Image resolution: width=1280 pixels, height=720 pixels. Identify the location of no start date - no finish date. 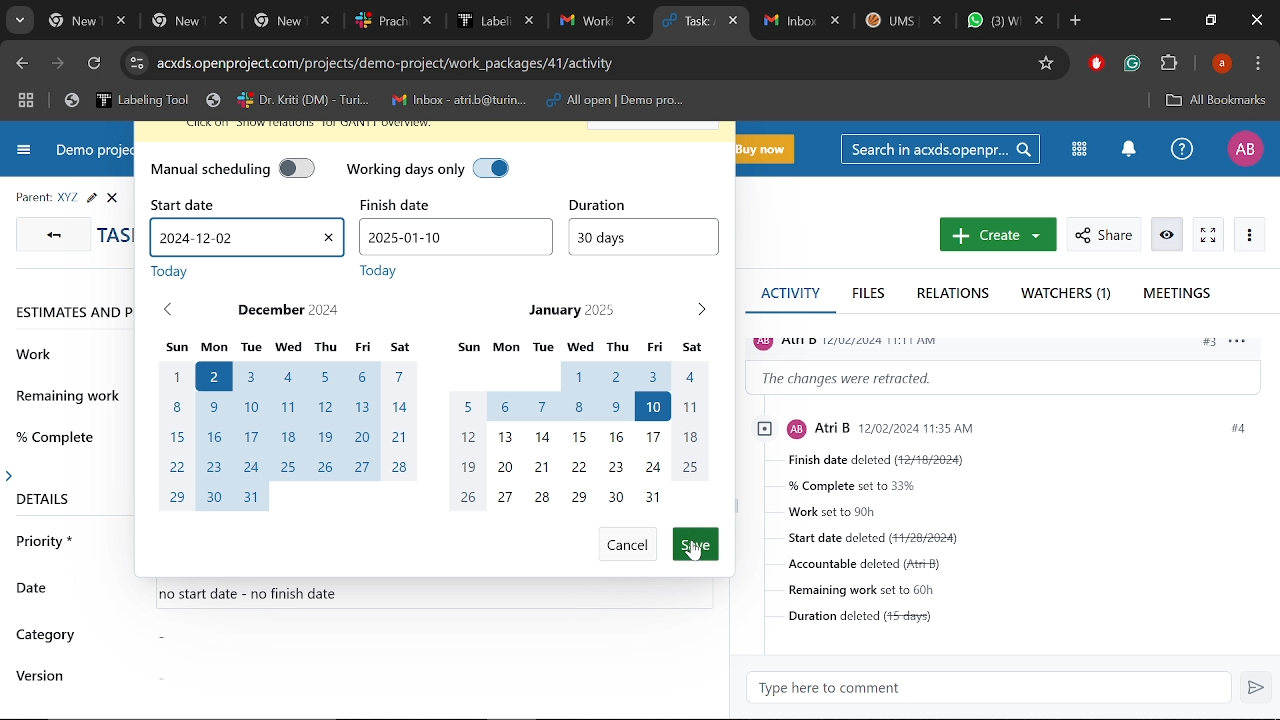
(266, 593).